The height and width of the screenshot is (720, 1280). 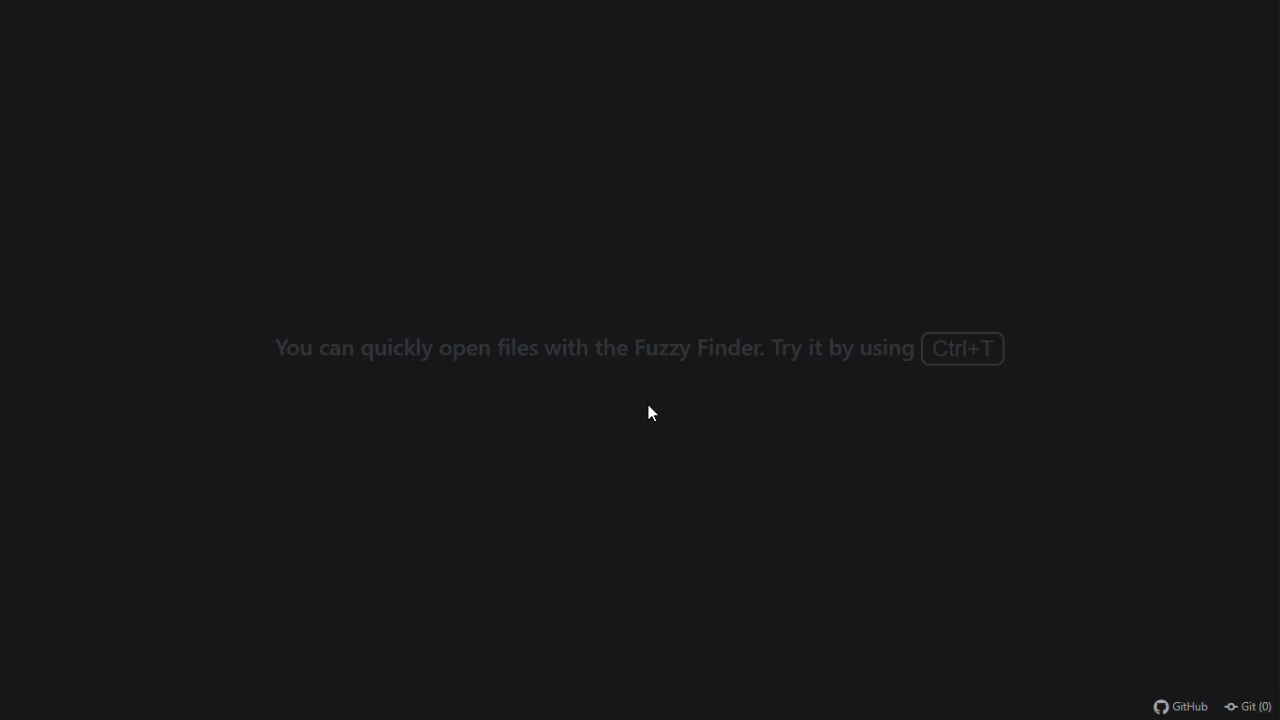 What do you see at coordinates (1180, 708) in the screenshot?
I see `github` at bounding box center [1180, 708].